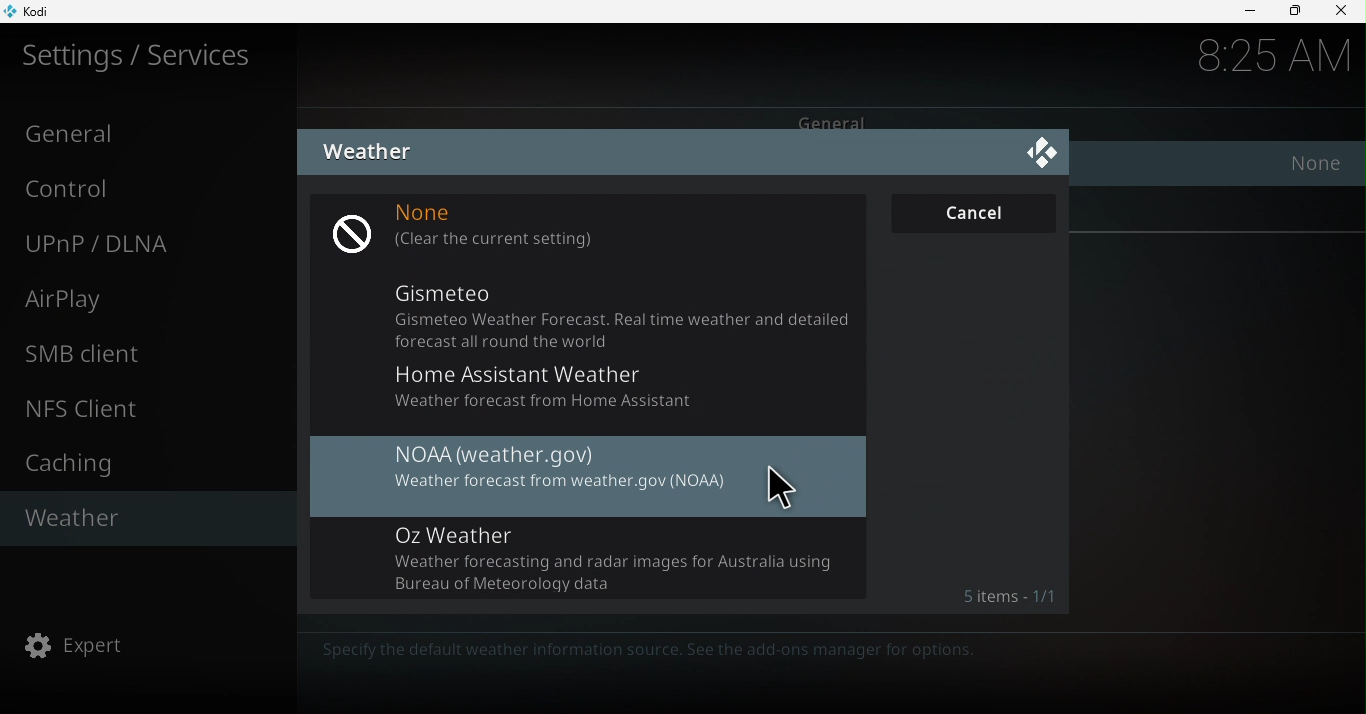 The width and height of the screenshot is (1366, 714). Describe the element at coordinates (1276, 53) in the screenshot. I see `Time` at that location.